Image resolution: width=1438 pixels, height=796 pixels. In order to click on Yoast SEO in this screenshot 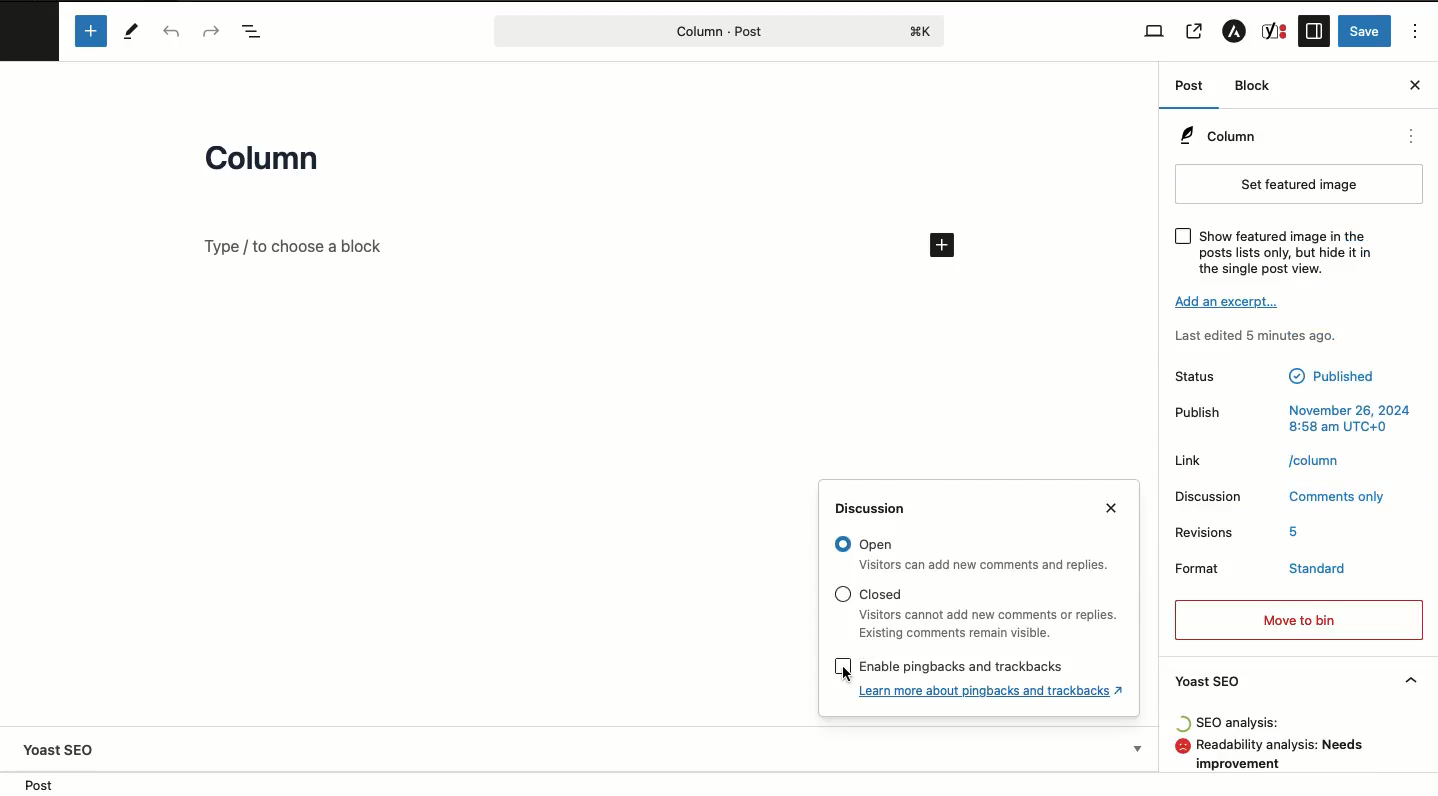, I will do `click(1296, 681)`.